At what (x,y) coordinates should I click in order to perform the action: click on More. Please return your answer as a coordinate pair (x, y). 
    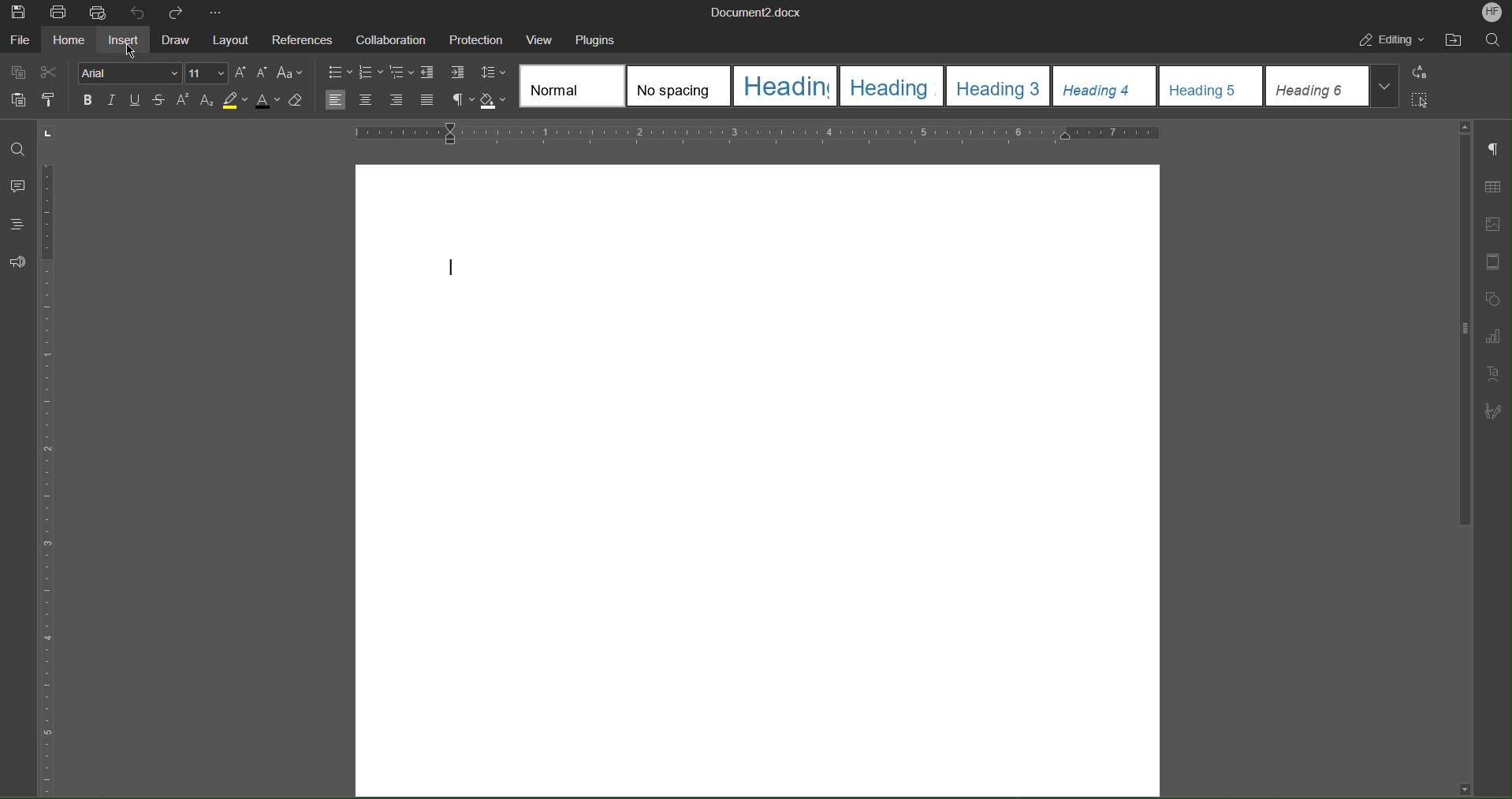
    Looking at the image, I should click on (216, 11).